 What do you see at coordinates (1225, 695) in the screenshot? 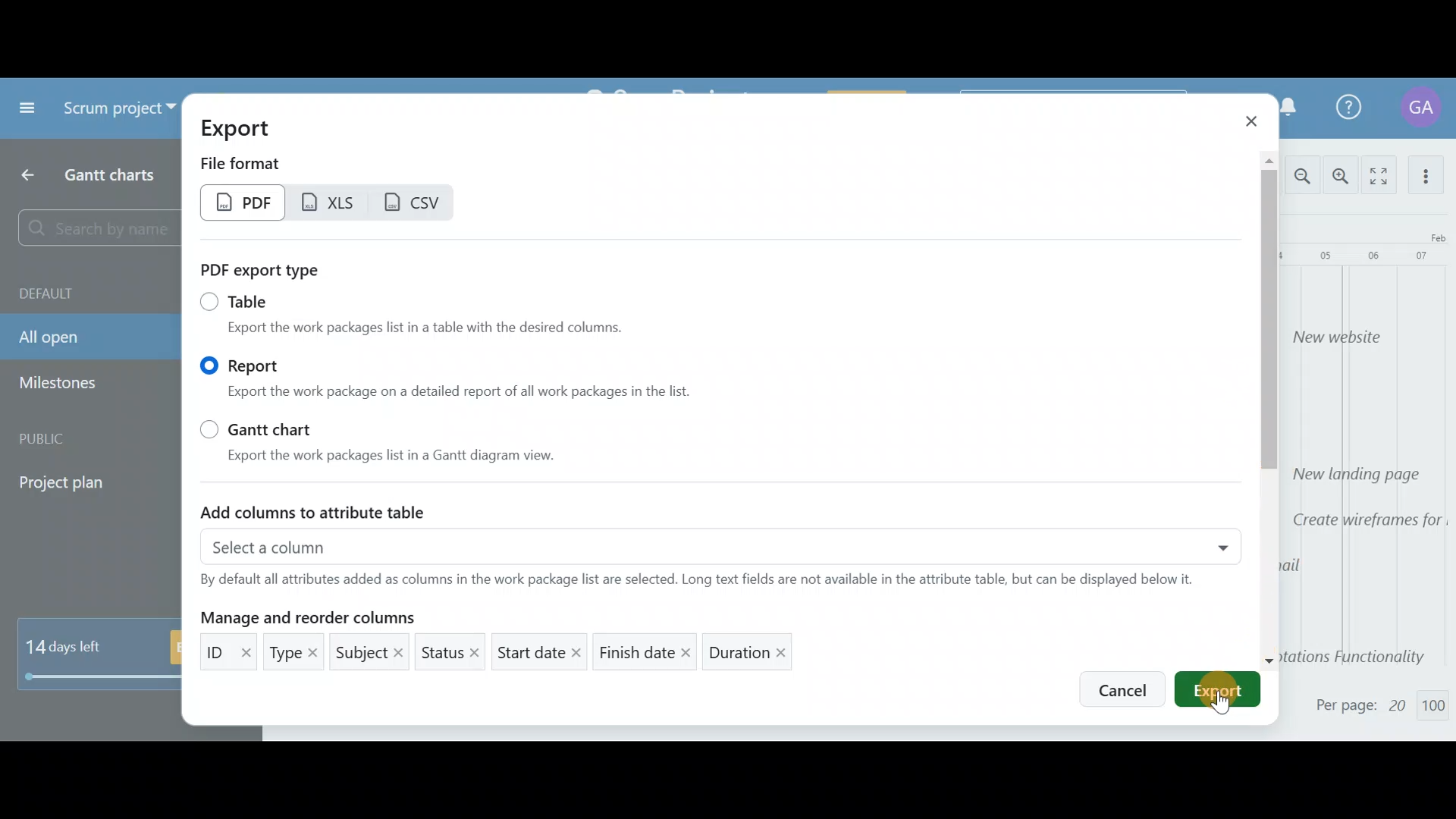
I see `Cursor on export` at bounding box center [1225, 695].